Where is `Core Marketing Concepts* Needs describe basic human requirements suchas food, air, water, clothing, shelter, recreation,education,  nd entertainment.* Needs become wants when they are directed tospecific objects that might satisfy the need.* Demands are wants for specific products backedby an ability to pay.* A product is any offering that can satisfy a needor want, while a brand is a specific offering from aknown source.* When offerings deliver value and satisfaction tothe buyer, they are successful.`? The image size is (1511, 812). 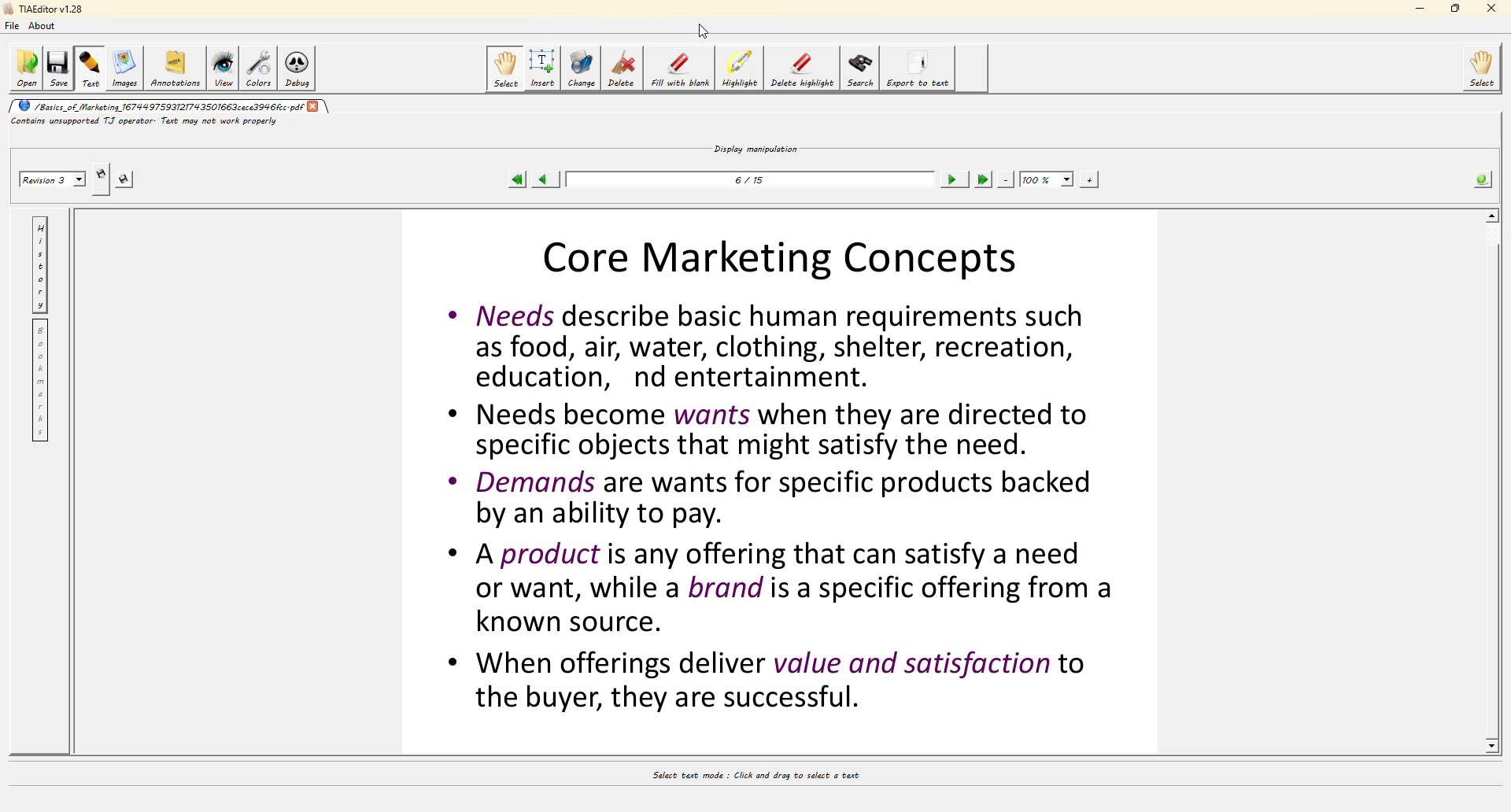 Core Marketing Concepts* Needs describe basic human requirements suchas food, air, water, clothing, shelter, recreation,education,  nd entertainment.* Needs become wants when they are directed tospecific objects that might satisfy the need.* Demands are wants for specific products backedby an ability to pay.* A product is any offering that can satisfy a needor want, while a brand is a specific offering from aknown source.* When offerings deliver value and satisfaction tothe buyer, they are successful. is located at coordinates (778, 489).